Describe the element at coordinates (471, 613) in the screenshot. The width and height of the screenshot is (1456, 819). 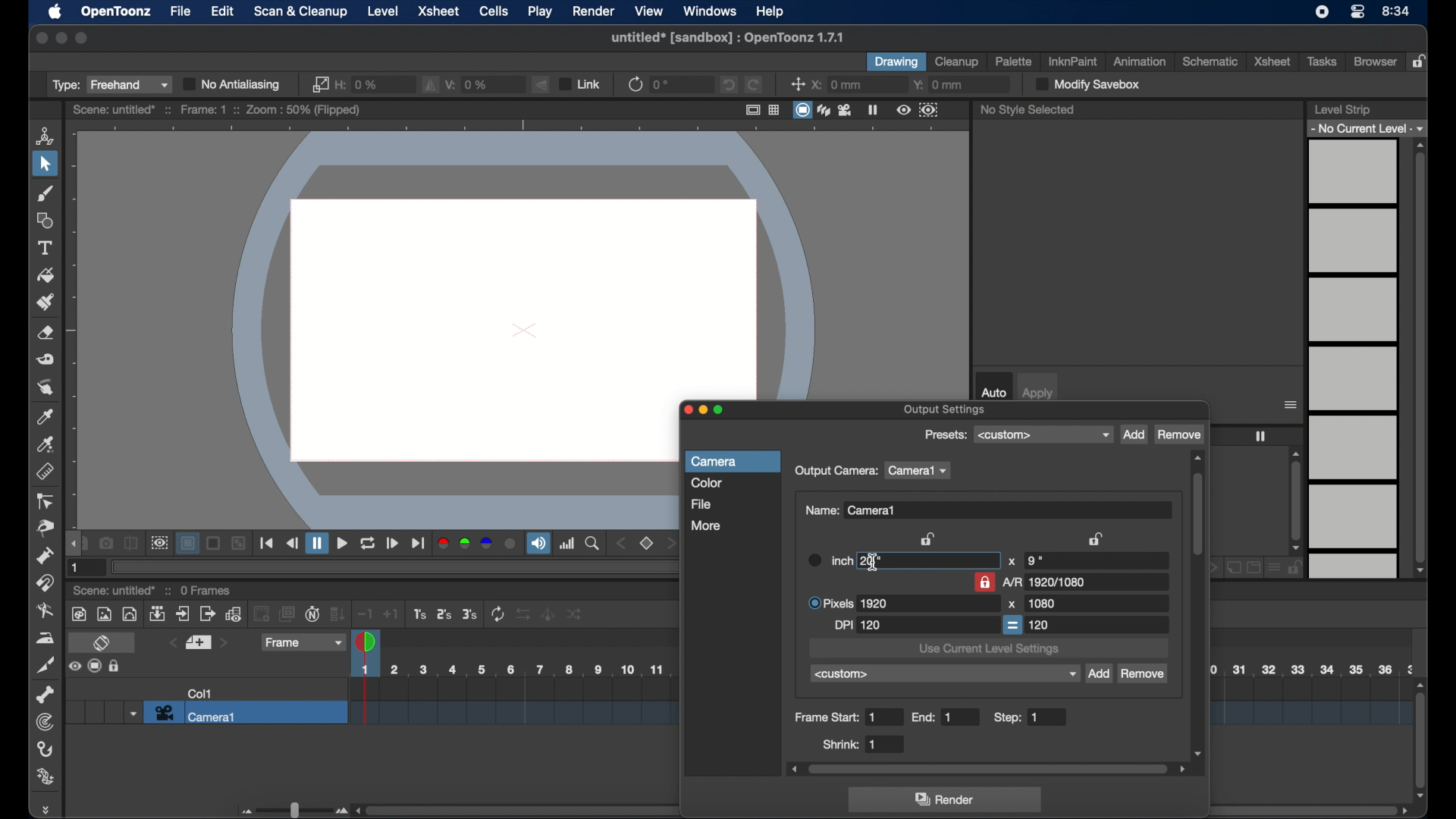
I see `` at that location.